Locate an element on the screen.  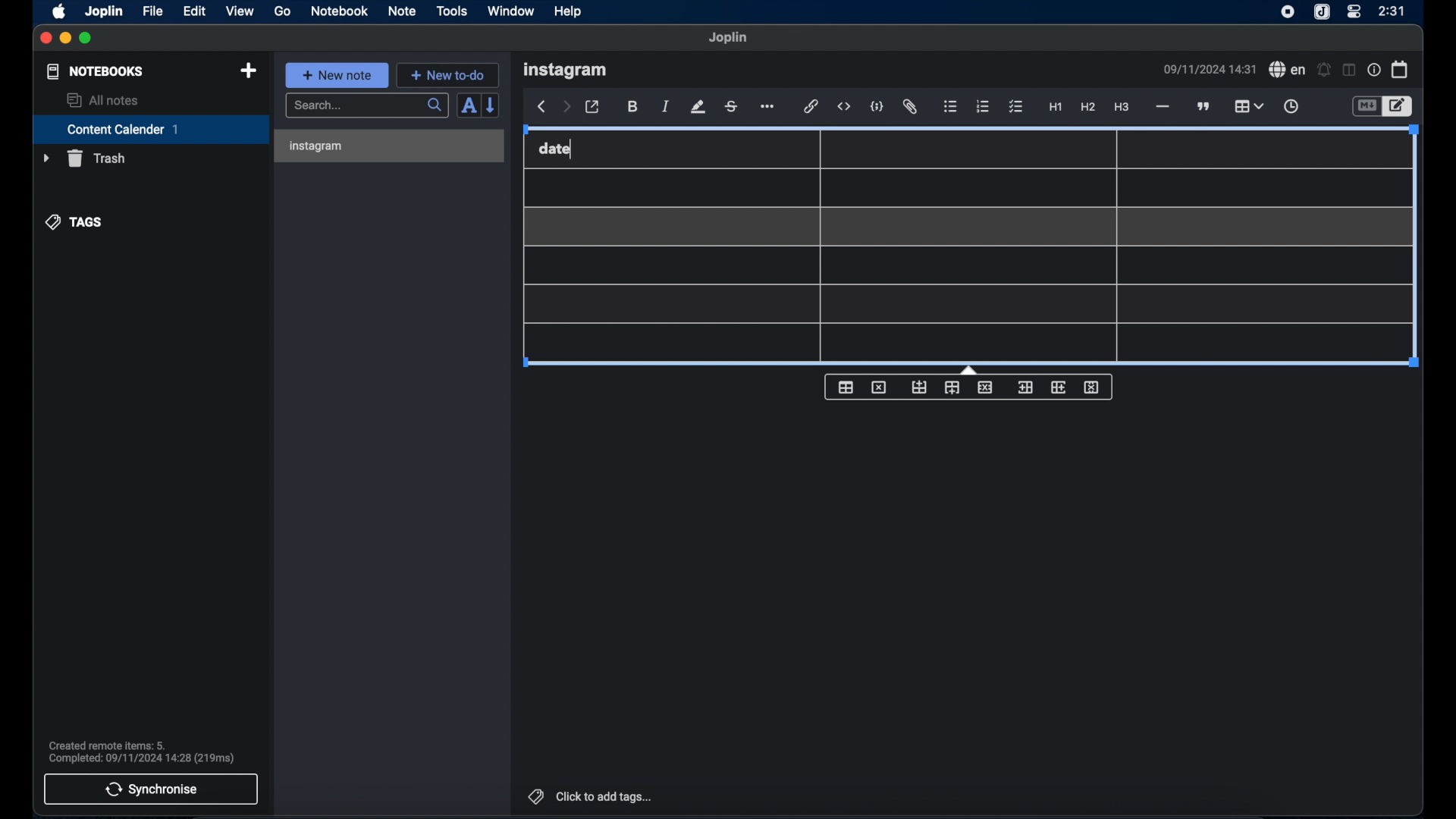
table properties is located at coordinates (846, 387).